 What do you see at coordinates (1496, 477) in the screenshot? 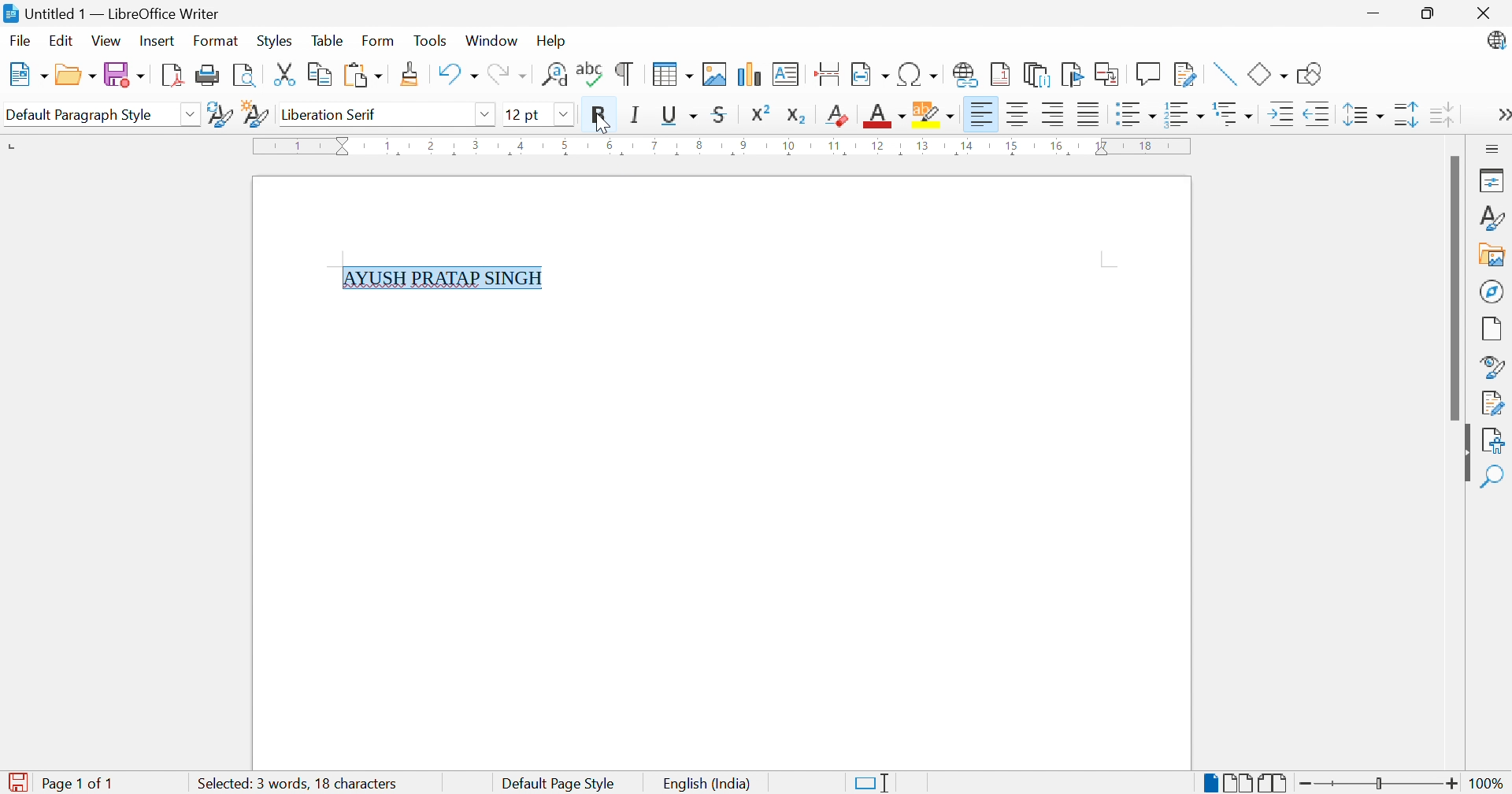
I see `Find` at bounding box center [1496, 477].